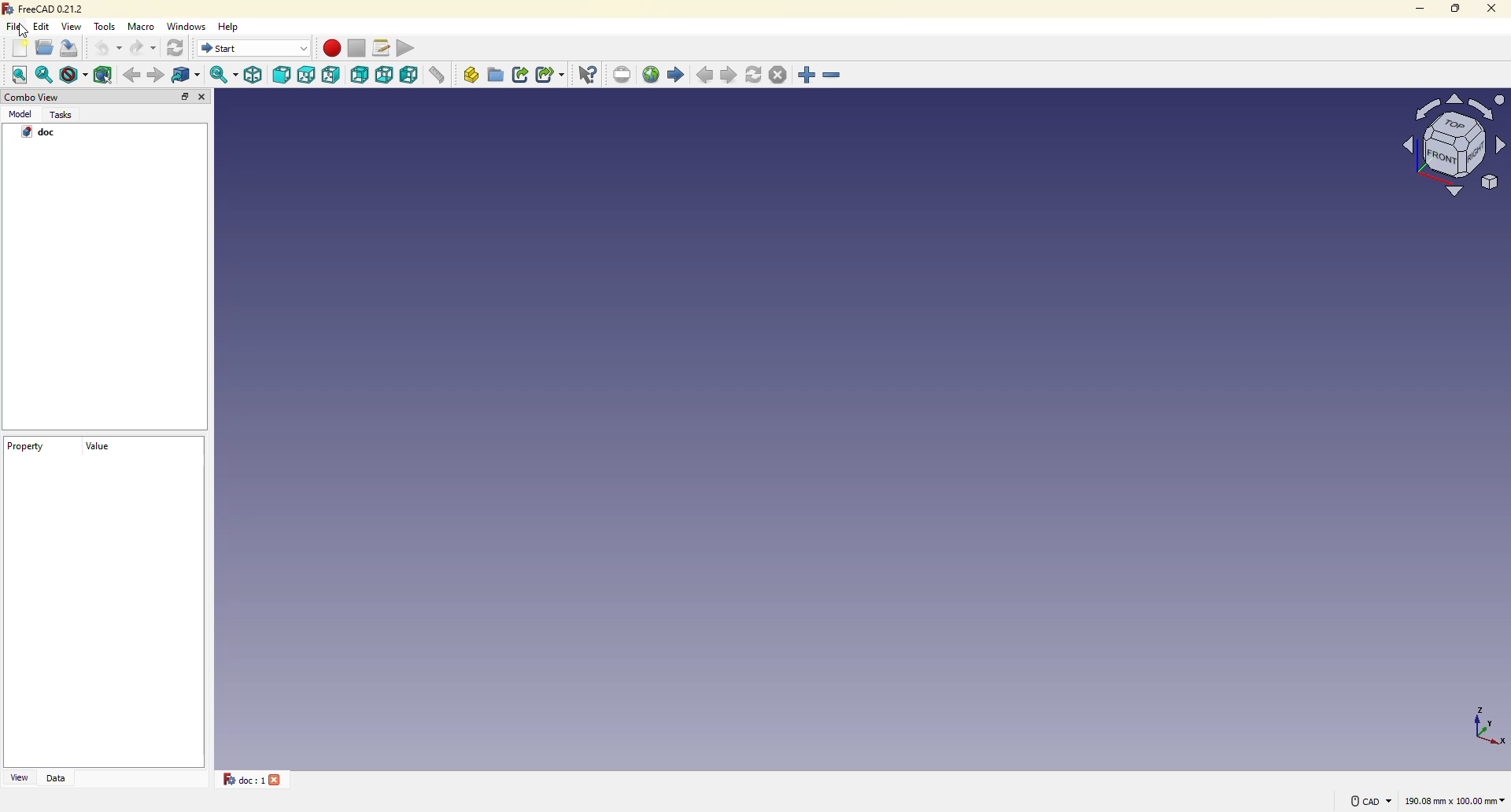  What do you see at coordinates (185, 97) in the screenshot?
I see `expand` at bounding box center [185, 97].